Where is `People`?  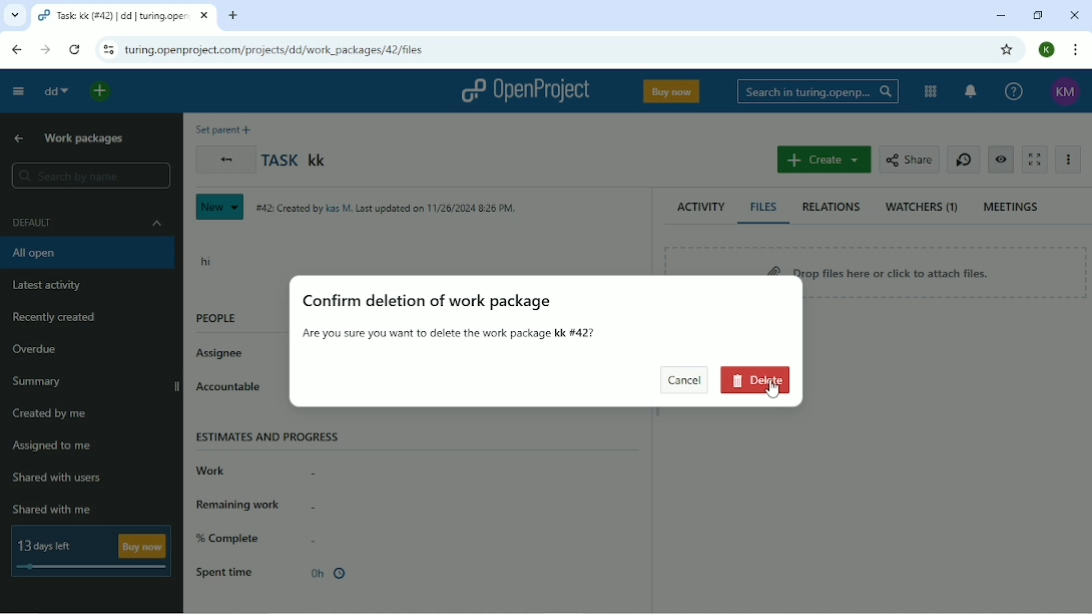 People is located at coordinates (216, 318).